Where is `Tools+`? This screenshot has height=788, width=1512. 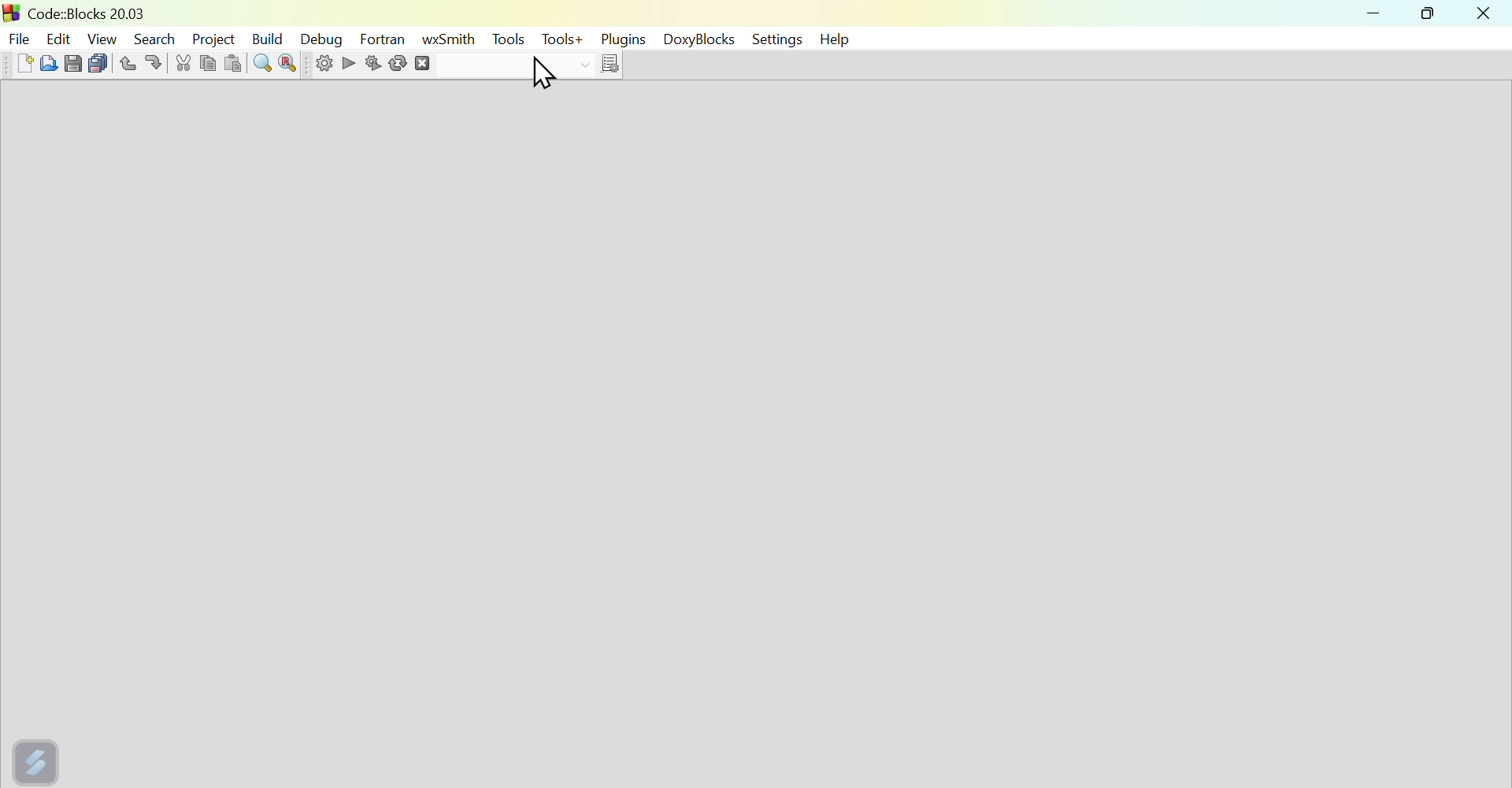 Tools+ is located at coordinates (560, 41).